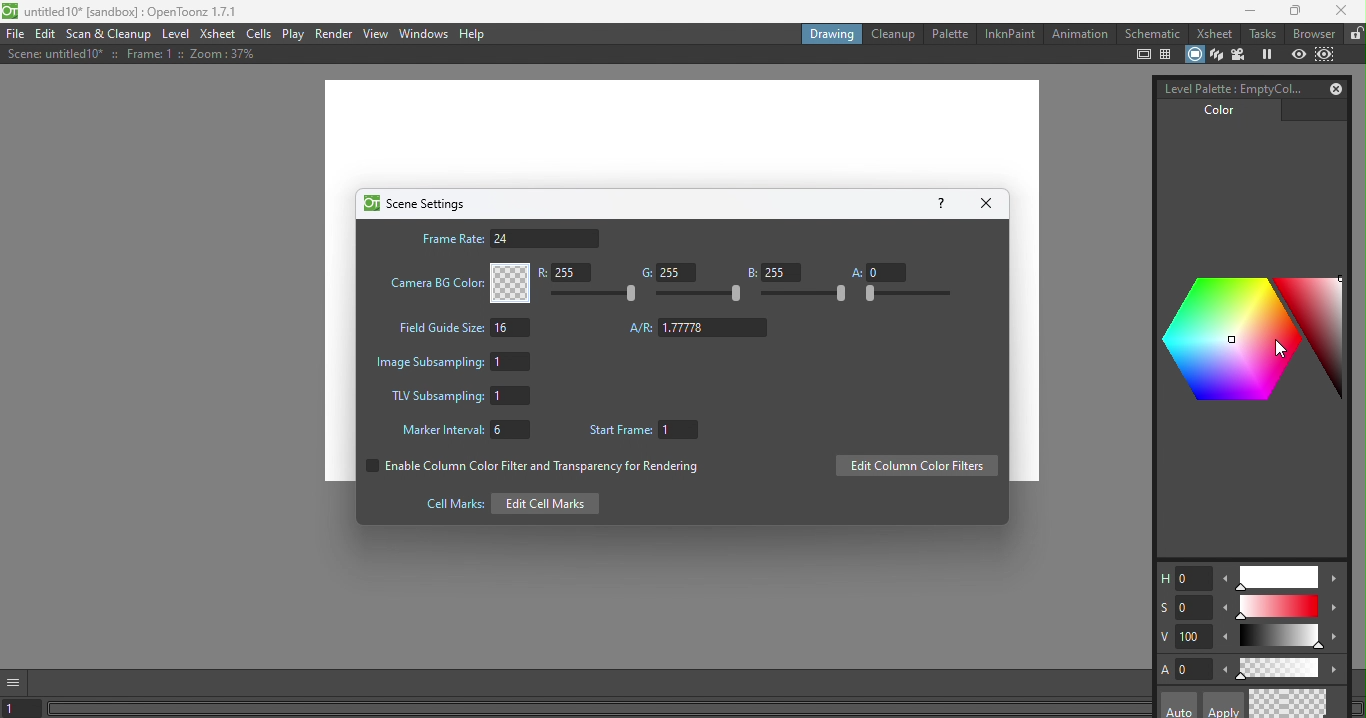 The image size is (1366, 718). Describe the element at coordinates (1185, 637) in the screenshot. I see `V` at that location.